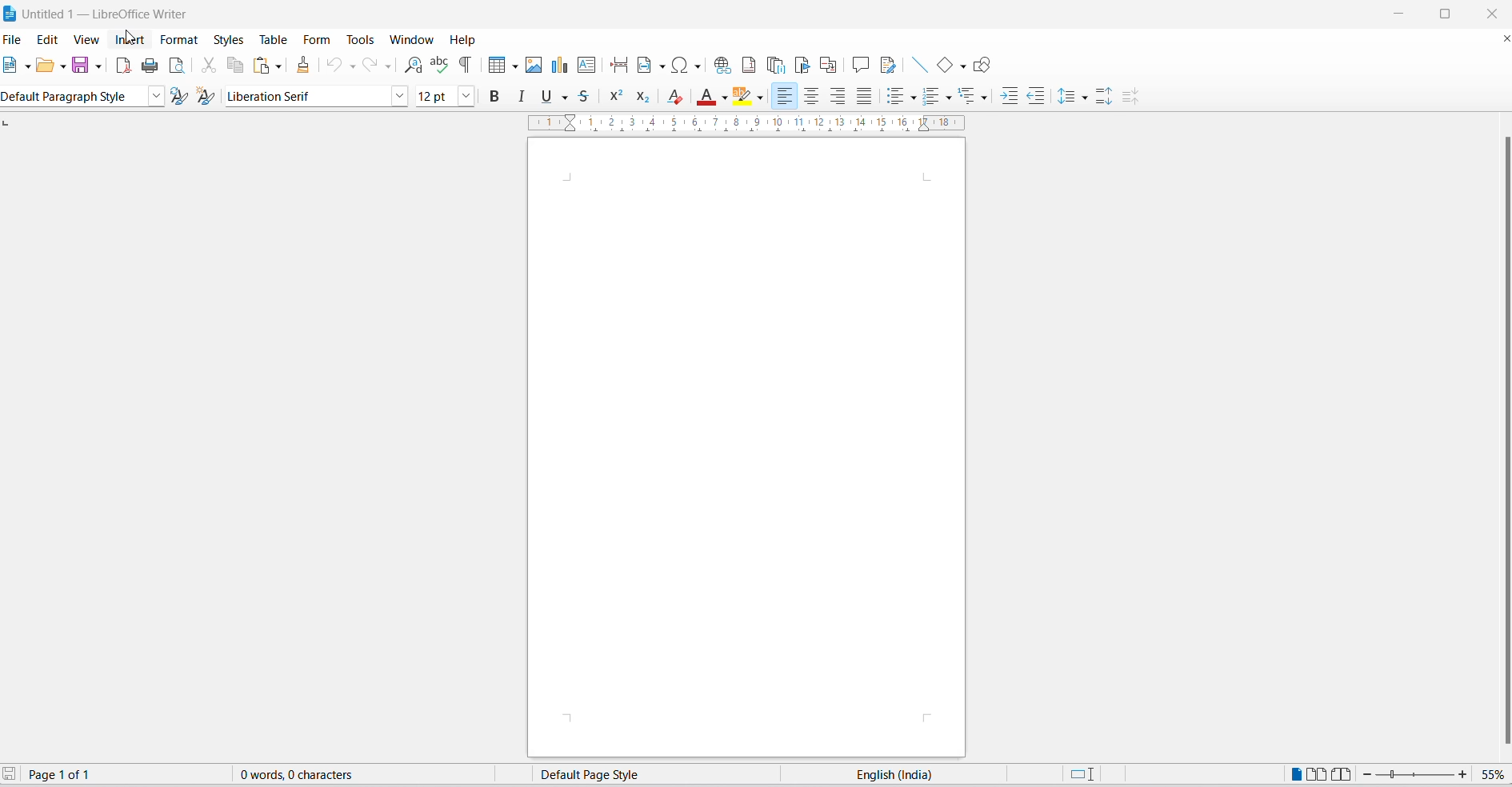 The image size is (1512, 787). I want to click on text align right, so click(838, 98).